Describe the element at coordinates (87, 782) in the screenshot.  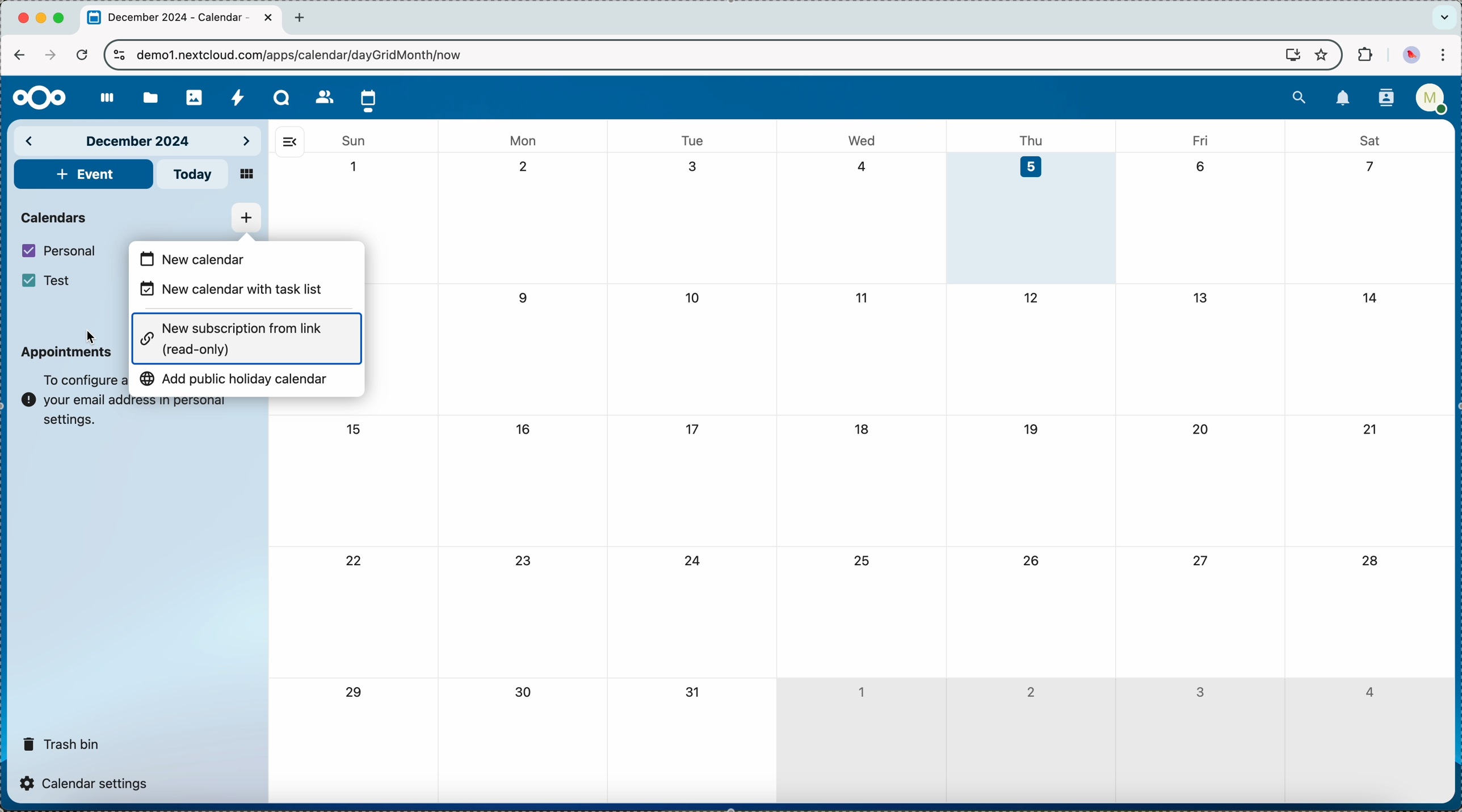
I see `calendar settings` at that location.